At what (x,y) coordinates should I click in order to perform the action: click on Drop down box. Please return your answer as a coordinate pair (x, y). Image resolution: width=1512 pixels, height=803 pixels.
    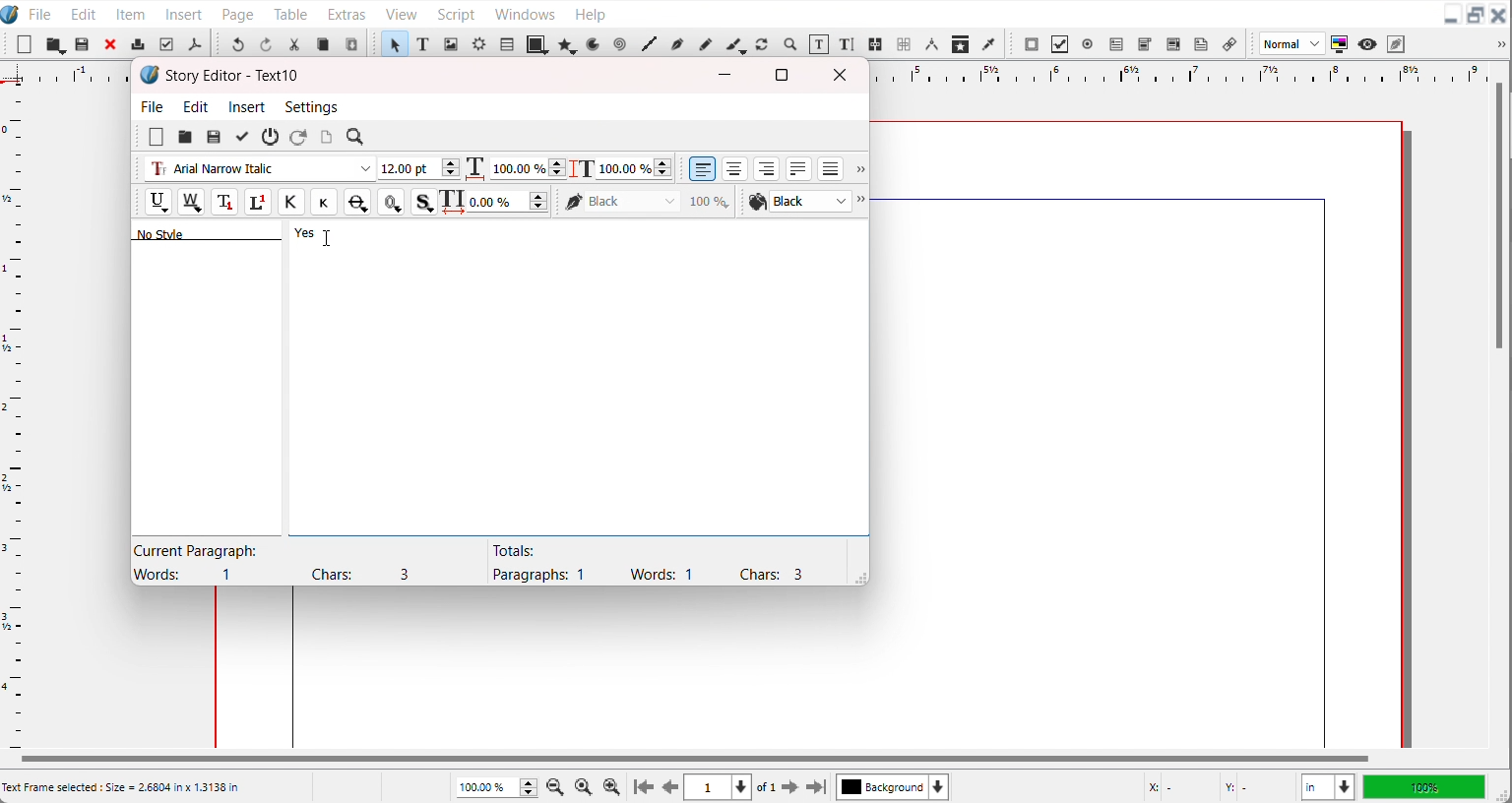
    Looking at the image, I should click on (858, 170).